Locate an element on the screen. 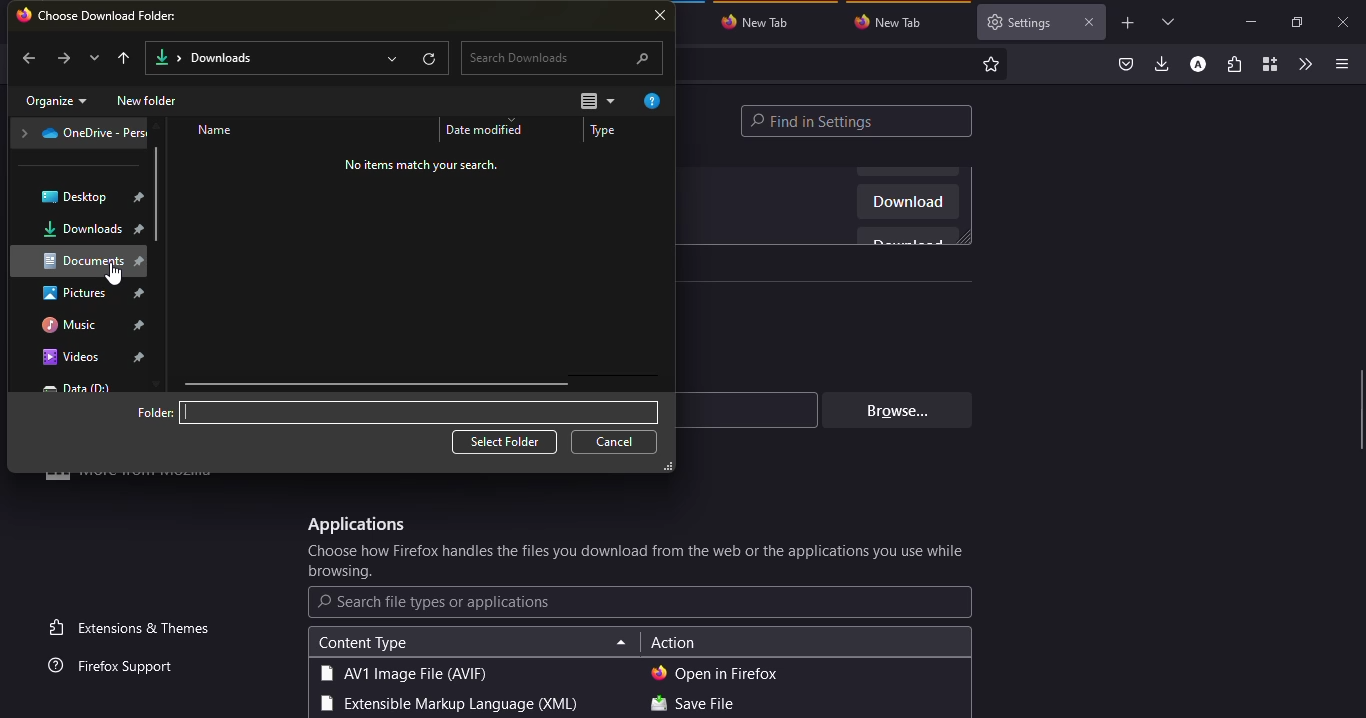  pin is located at coordinates (142, 263).